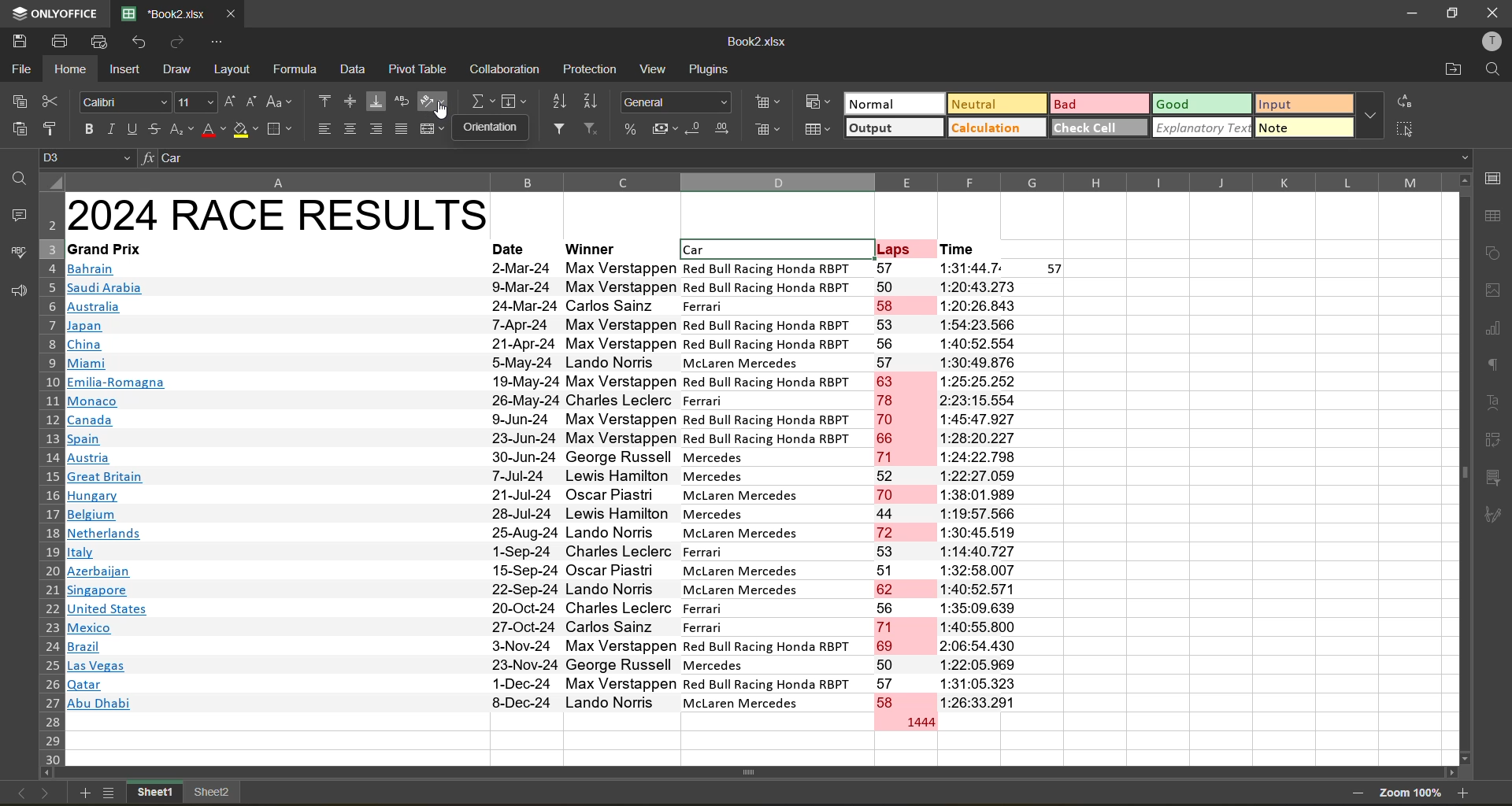 The height and width of the screenshot is (806, 1512). What do you see at coordinates (109, 129) in the screenshot?
I see `italic` at bounding box center [109, 129].